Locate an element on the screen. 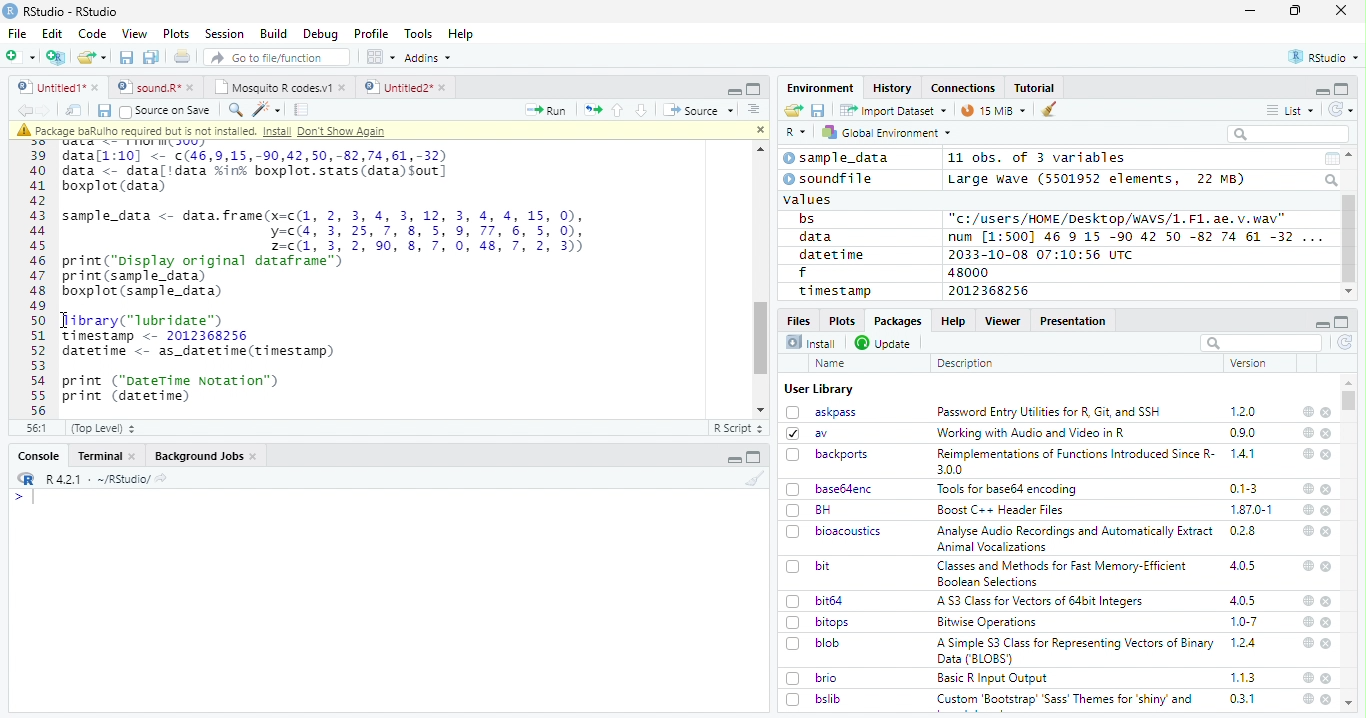  Code tools is located at coordinates (265, 109).